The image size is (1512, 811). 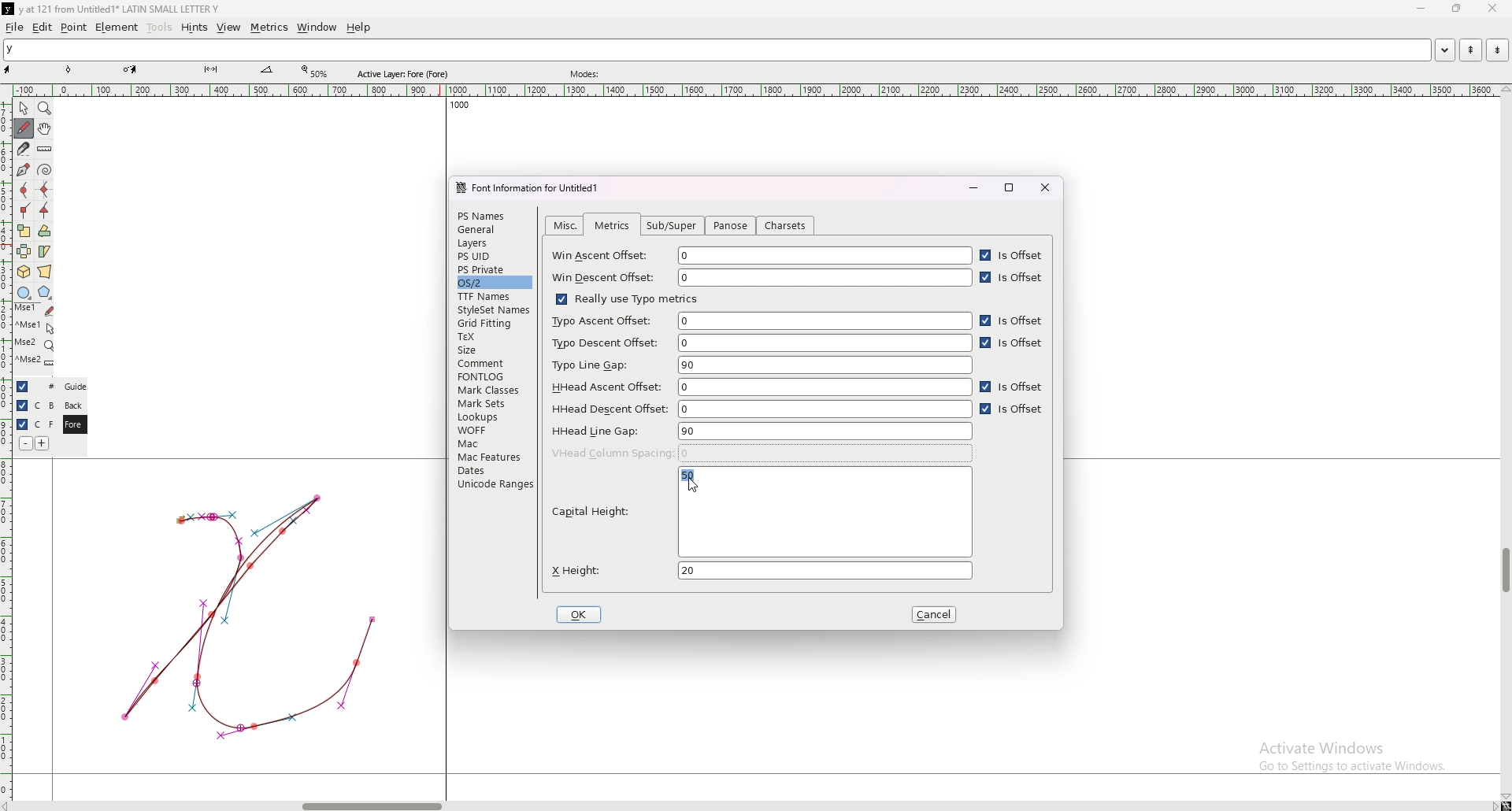 I want to click on measure distance, so click(x=45, y=150).